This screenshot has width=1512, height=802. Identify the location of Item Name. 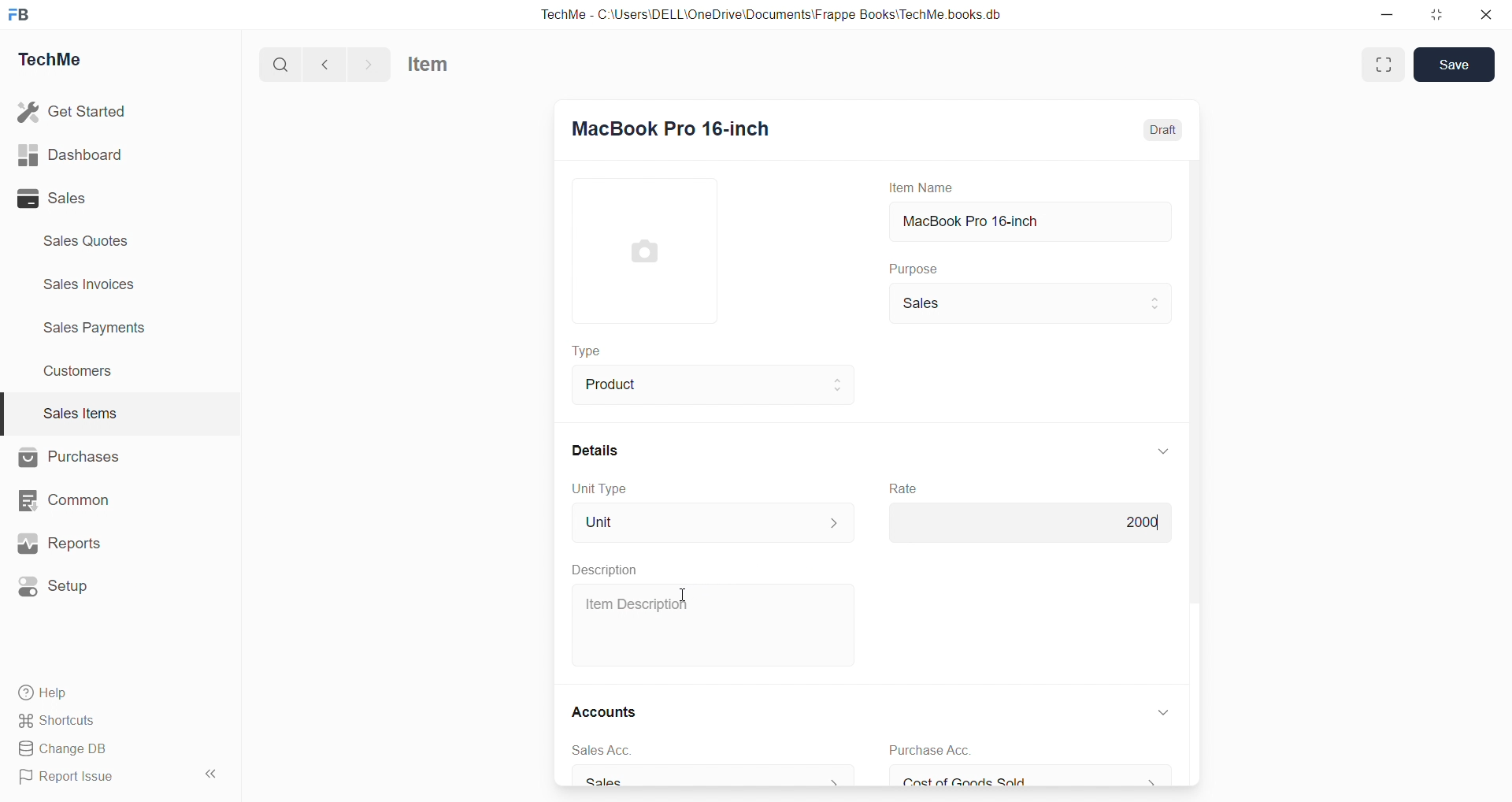
(919, 188).